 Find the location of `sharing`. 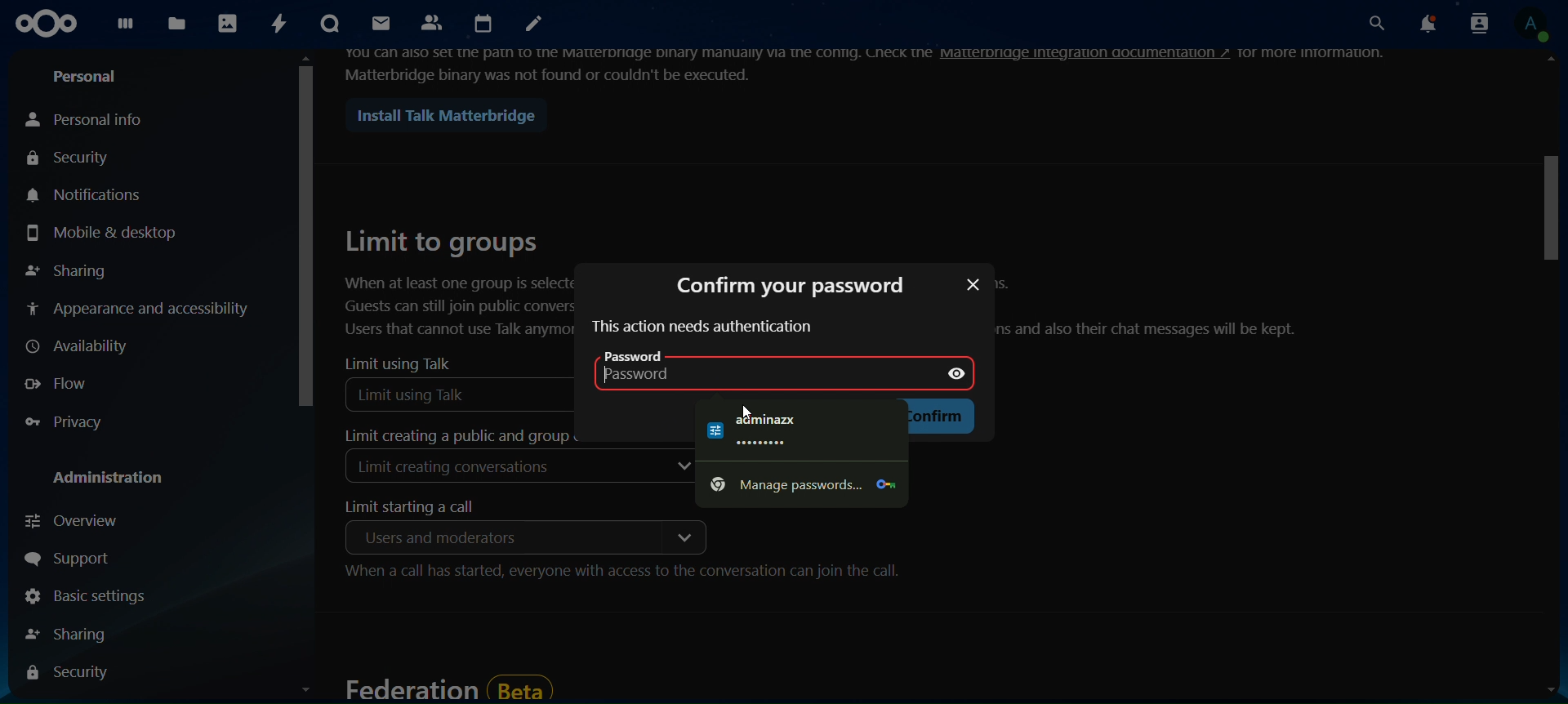

sharing is located at coordinates (66, 271).